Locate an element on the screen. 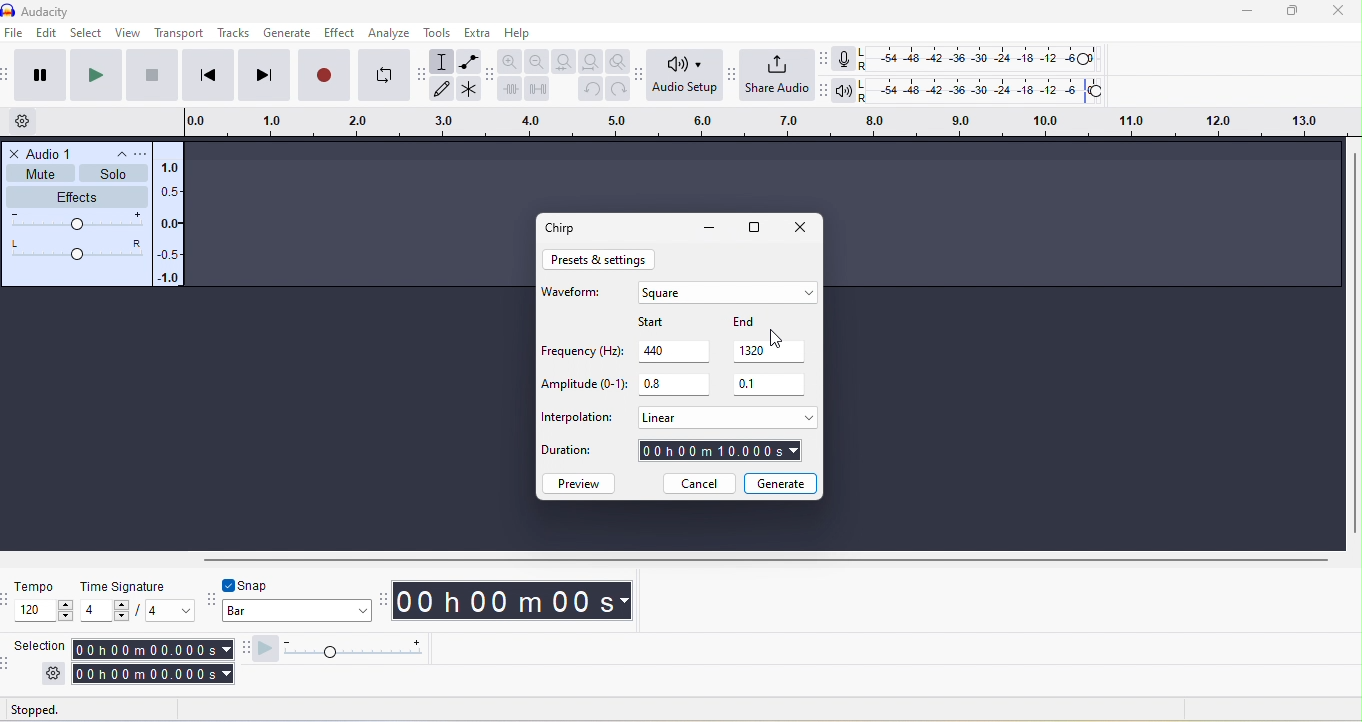 The height and width of the screenshot is (722, 1362). multi tool is located at coordinates (470, 89).